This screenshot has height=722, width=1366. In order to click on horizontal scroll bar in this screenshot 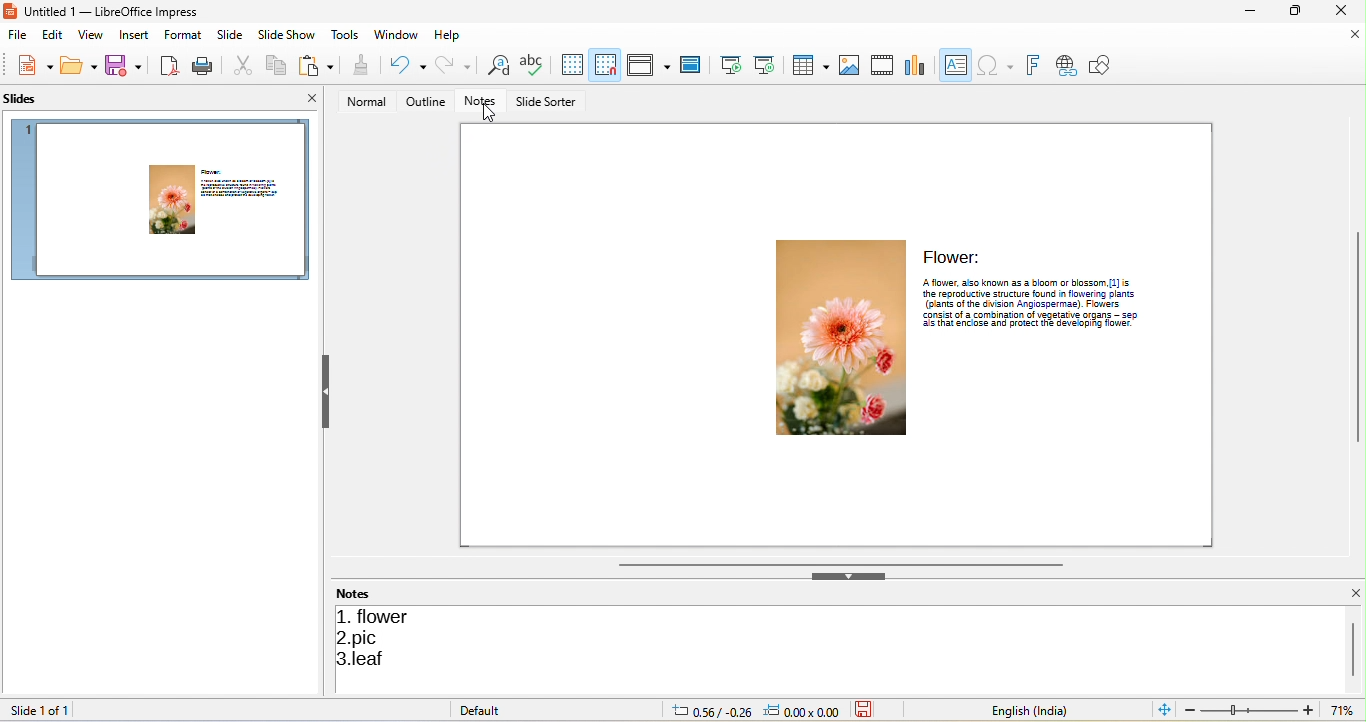, I will do `click(838, 564)`.